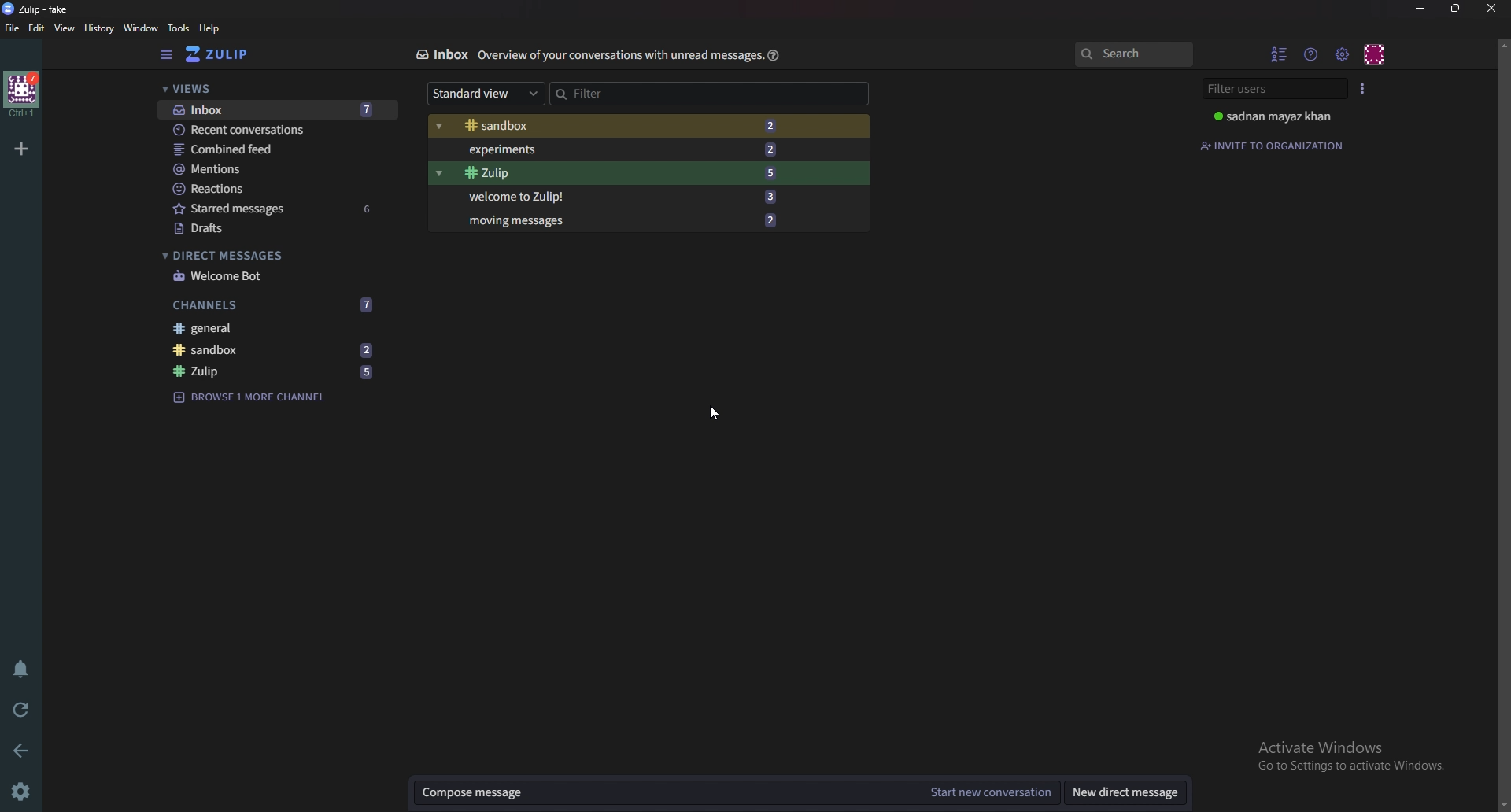  I want to click on main menu, so click(1343, 54).